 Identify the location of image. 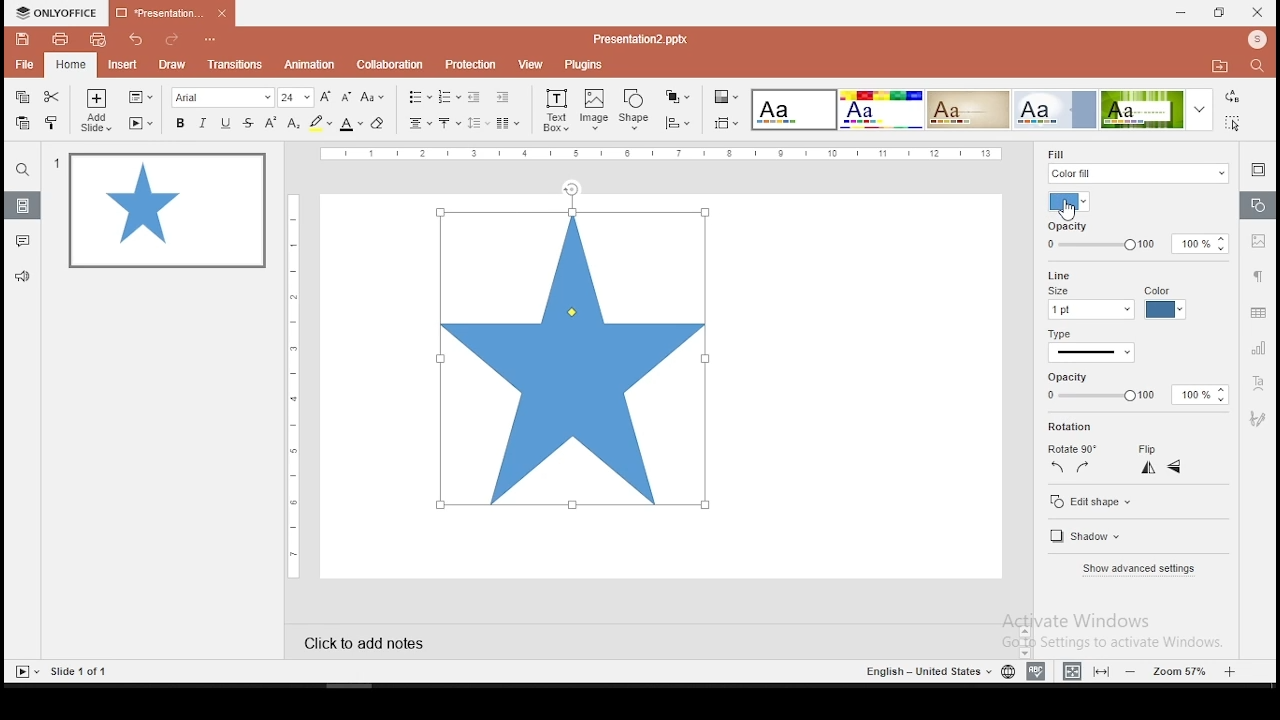
(595, 109).